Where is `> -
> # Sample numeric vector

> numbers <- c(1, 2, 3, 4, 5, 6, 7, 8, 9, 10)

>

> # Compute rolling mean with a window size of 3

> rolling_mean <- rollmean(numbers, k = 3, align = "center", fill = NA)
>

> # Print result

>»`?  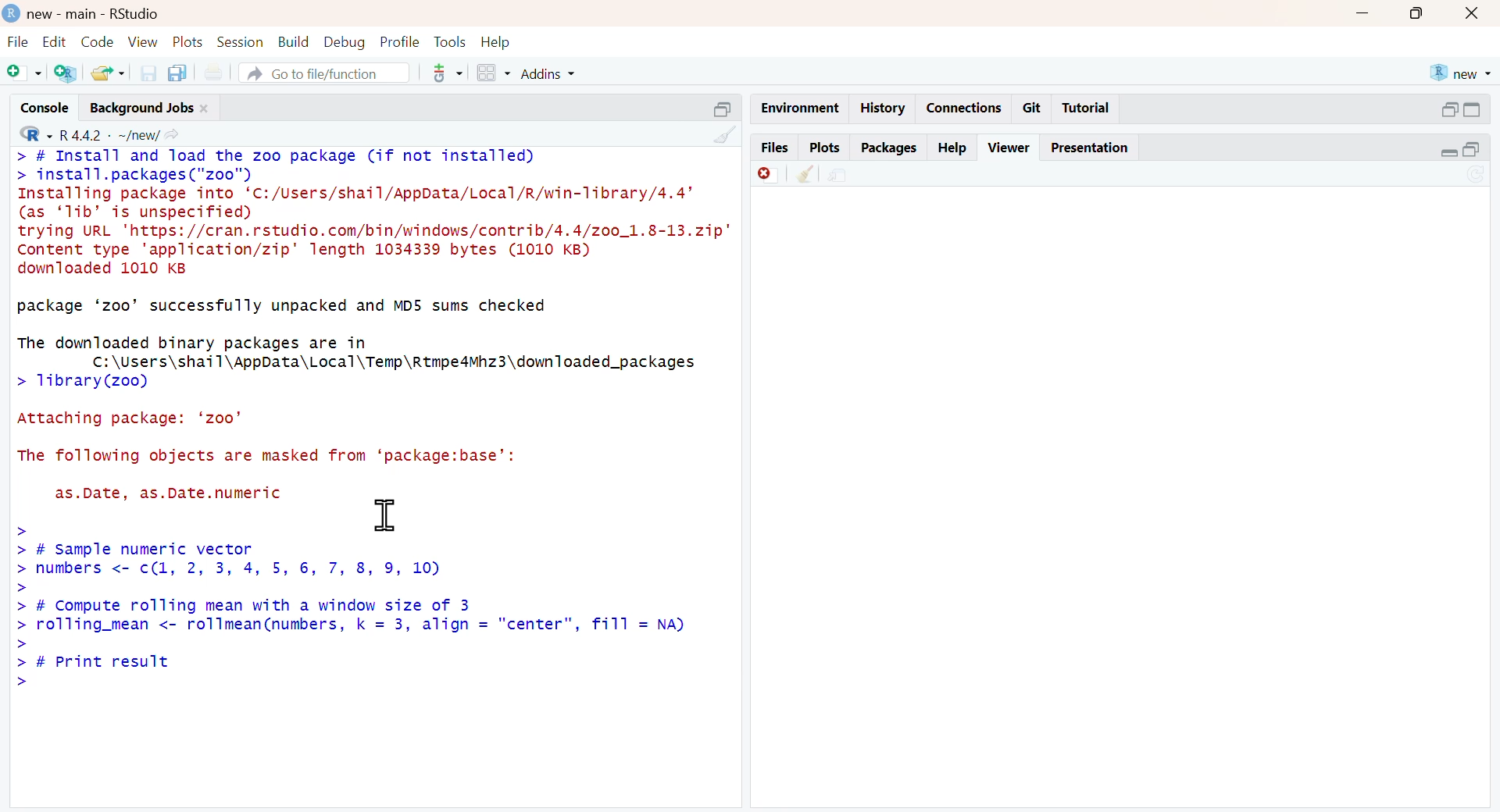
> -
> # Sample numeric vector

> numbers <- c(1, 2, 3, 4, 5, 6, 7, 8, 9, 10)

>

> # Compute rolling mean with a window size of 3

> rolling_mean <- rollmean(numbers, k = 3, align = "center", fill = NA)
>

> # Print result

>» is located at coordinates (350, 607).